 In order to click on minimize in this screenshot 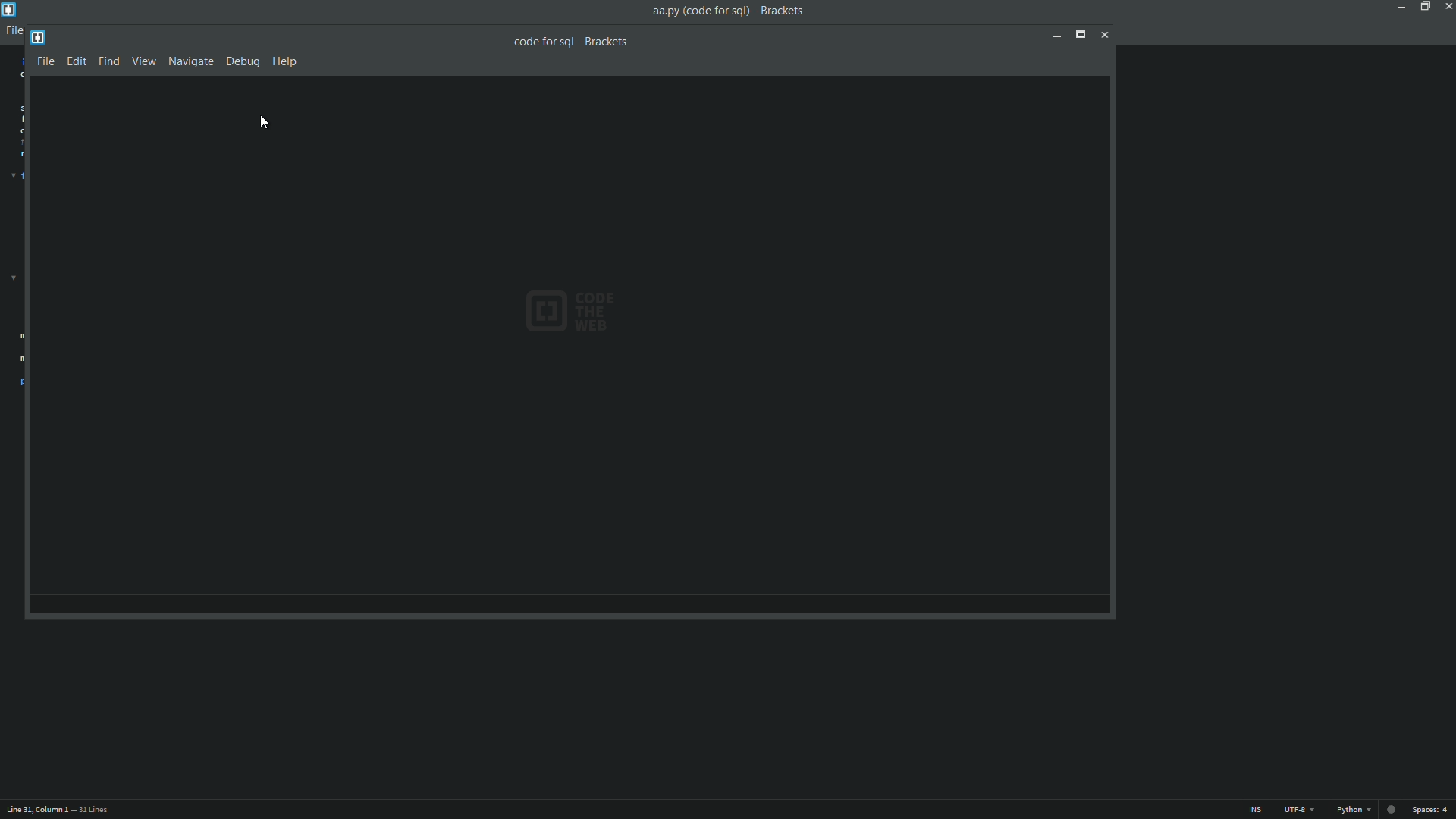, I will do `click(1401, 7)`.